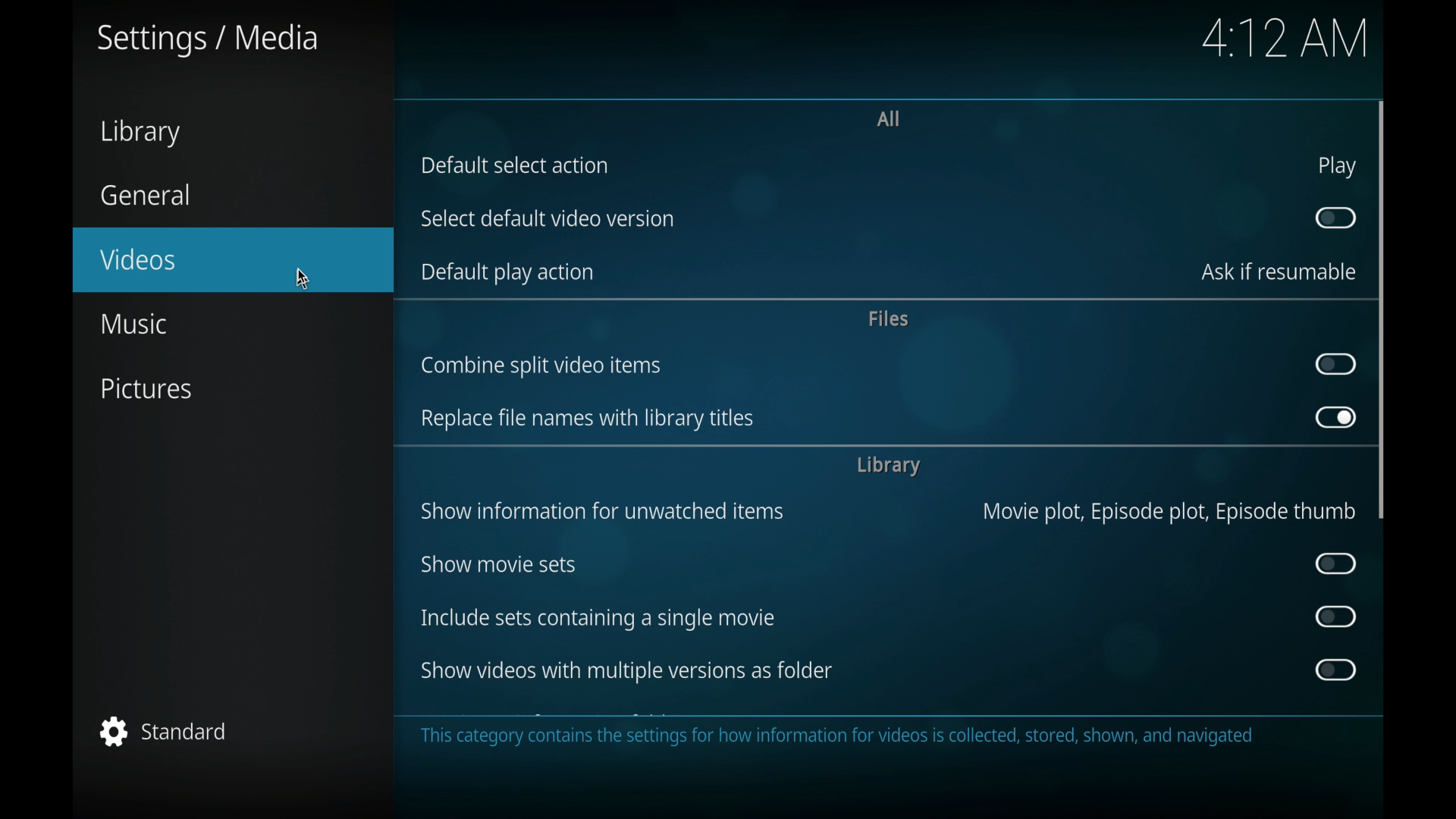  Describe the element at coordinates (1282, 42) in the screenshot. I see `4:17 AM` at that location.